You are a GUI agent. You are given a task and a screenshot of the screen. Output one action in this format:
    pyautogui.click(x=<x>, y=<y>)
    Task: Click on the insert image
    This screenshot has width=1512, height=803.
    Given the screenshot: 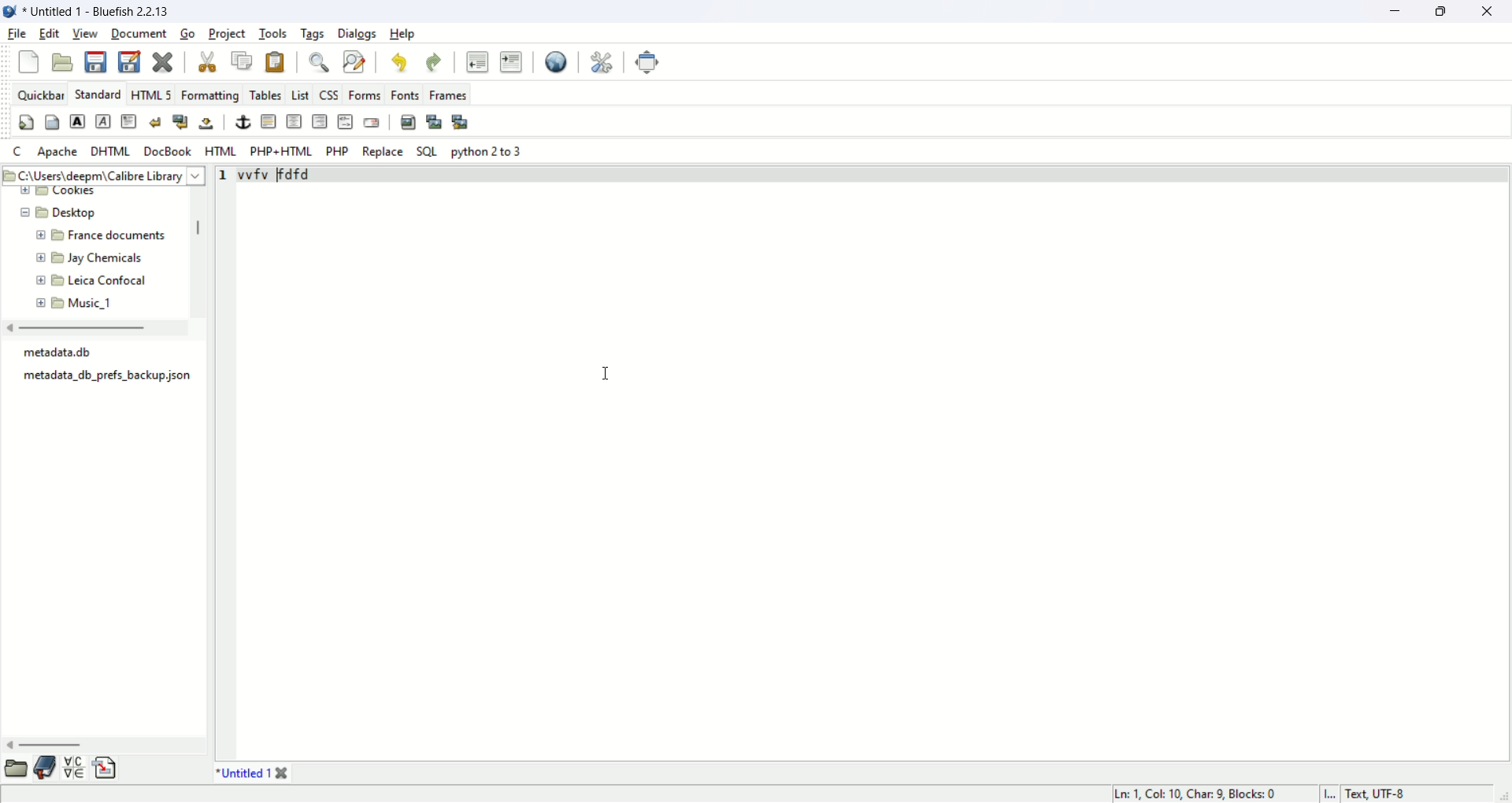 What is the action you would take?
    pyautogui.click(x=408, y=122)
    